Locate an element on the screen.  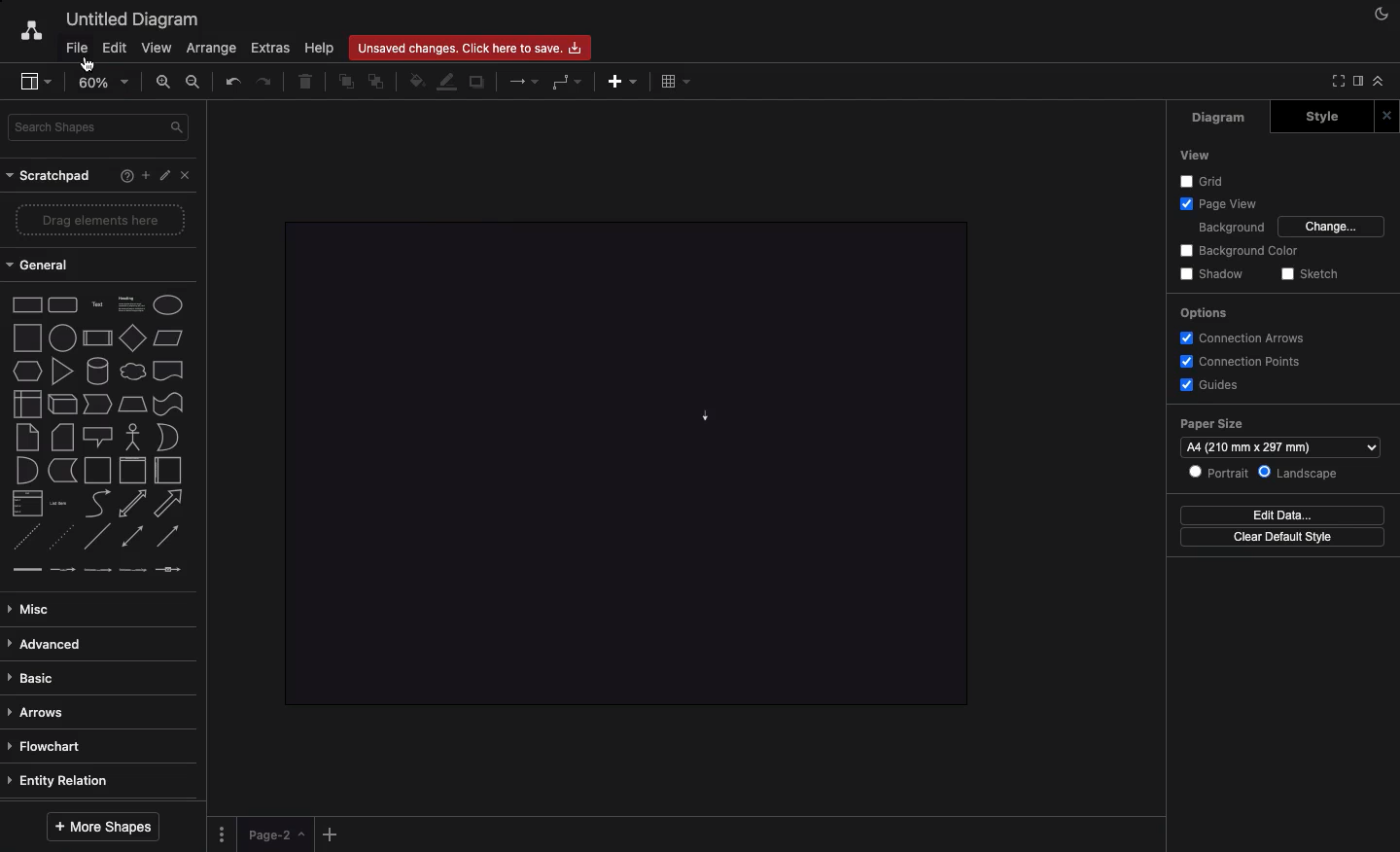
Change is located at coordinates (1333, 227).